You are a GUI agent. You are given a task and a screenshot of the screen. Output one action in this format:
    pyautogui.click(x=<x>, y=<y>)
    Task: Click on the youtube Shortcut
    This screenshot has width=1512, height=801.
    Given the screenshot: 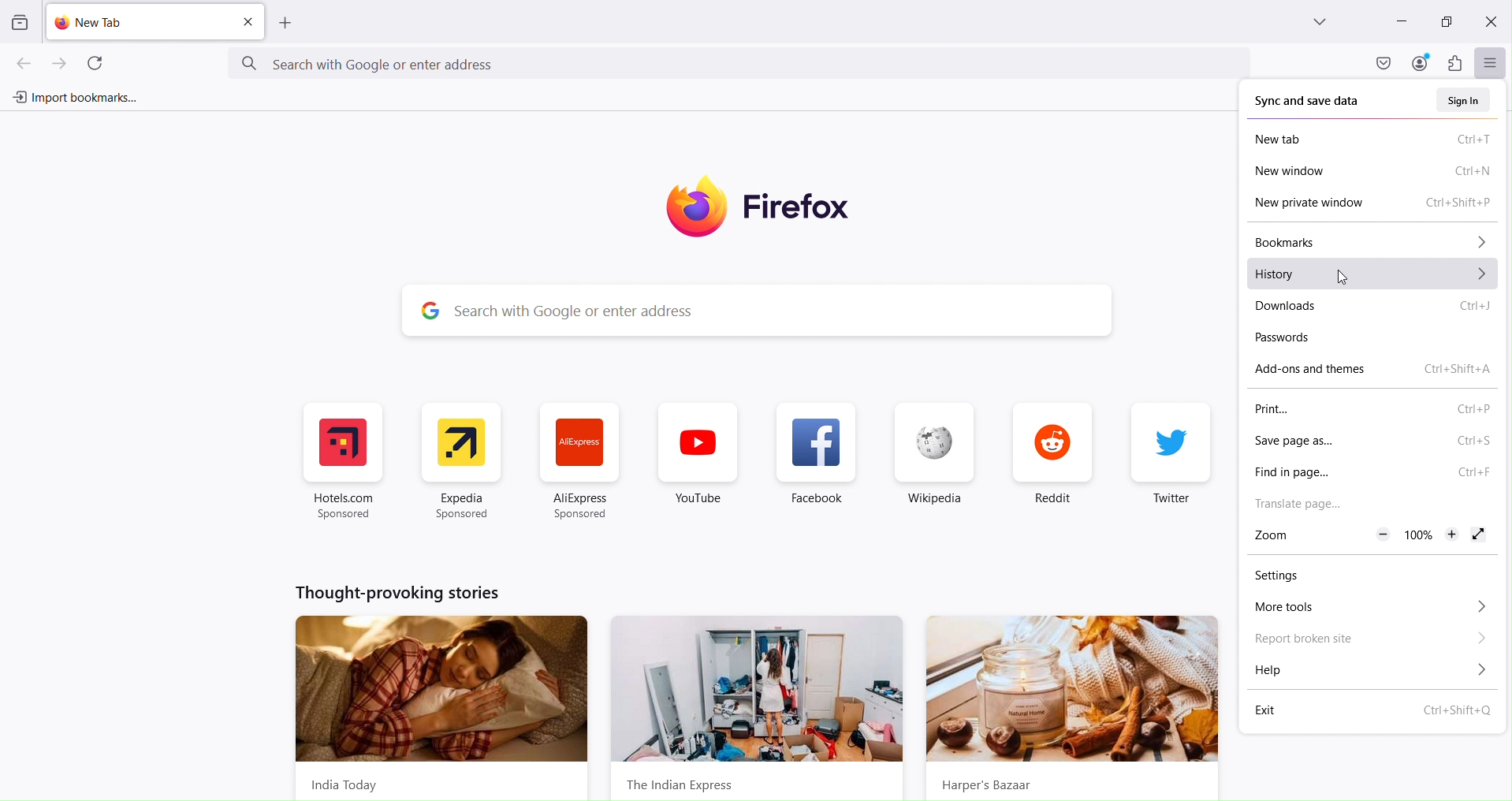 What is the action you would take?
    pyautogui.click(x=698, y=462)
    